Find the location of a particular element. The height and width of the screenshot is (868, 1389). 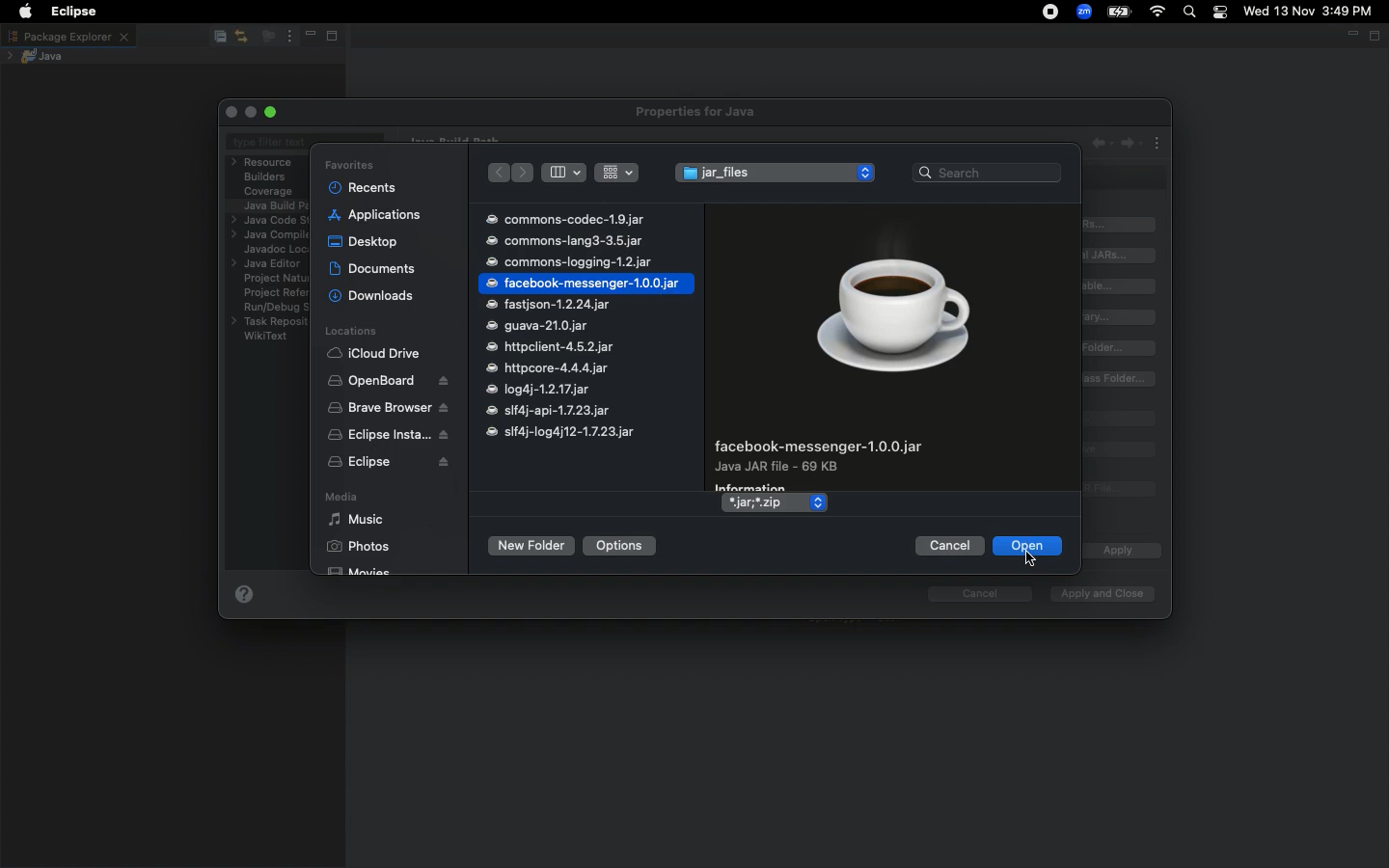

Minimize is located at coordinates (1350, 38).